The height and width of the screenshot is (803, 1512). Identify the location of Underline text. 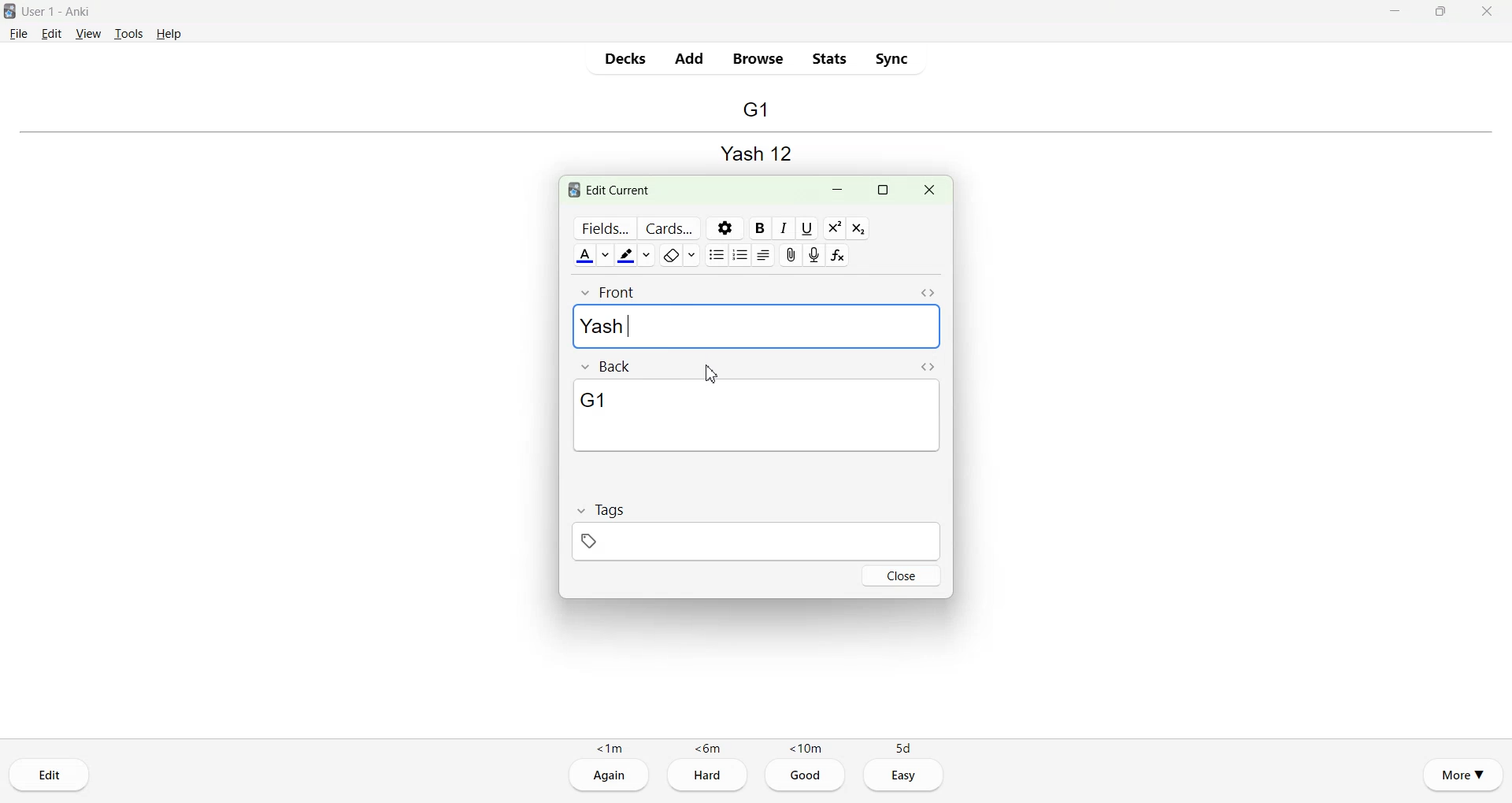
(810, 228).